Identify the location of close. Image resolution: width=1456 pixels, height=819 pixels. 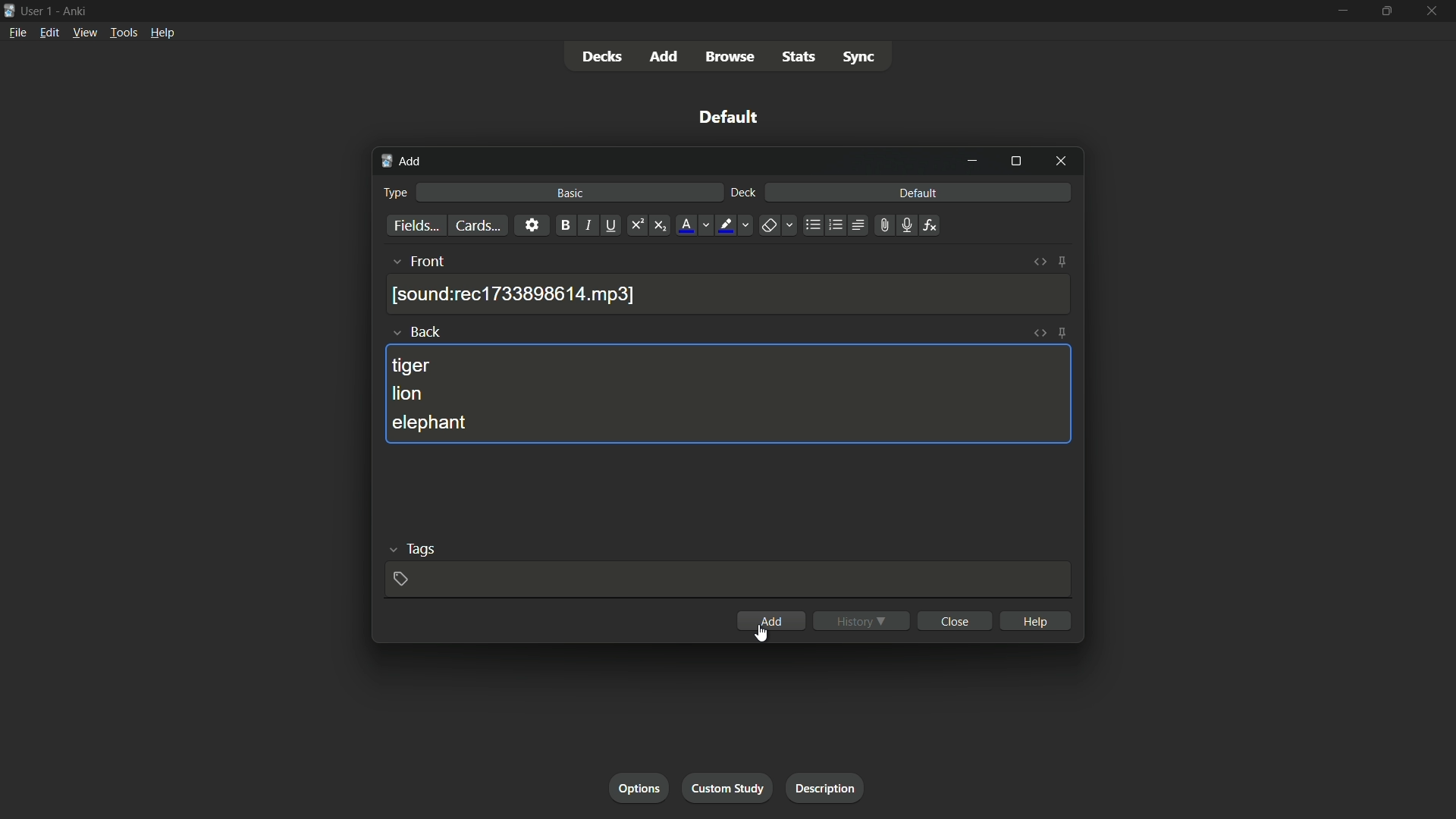
(954, 621).